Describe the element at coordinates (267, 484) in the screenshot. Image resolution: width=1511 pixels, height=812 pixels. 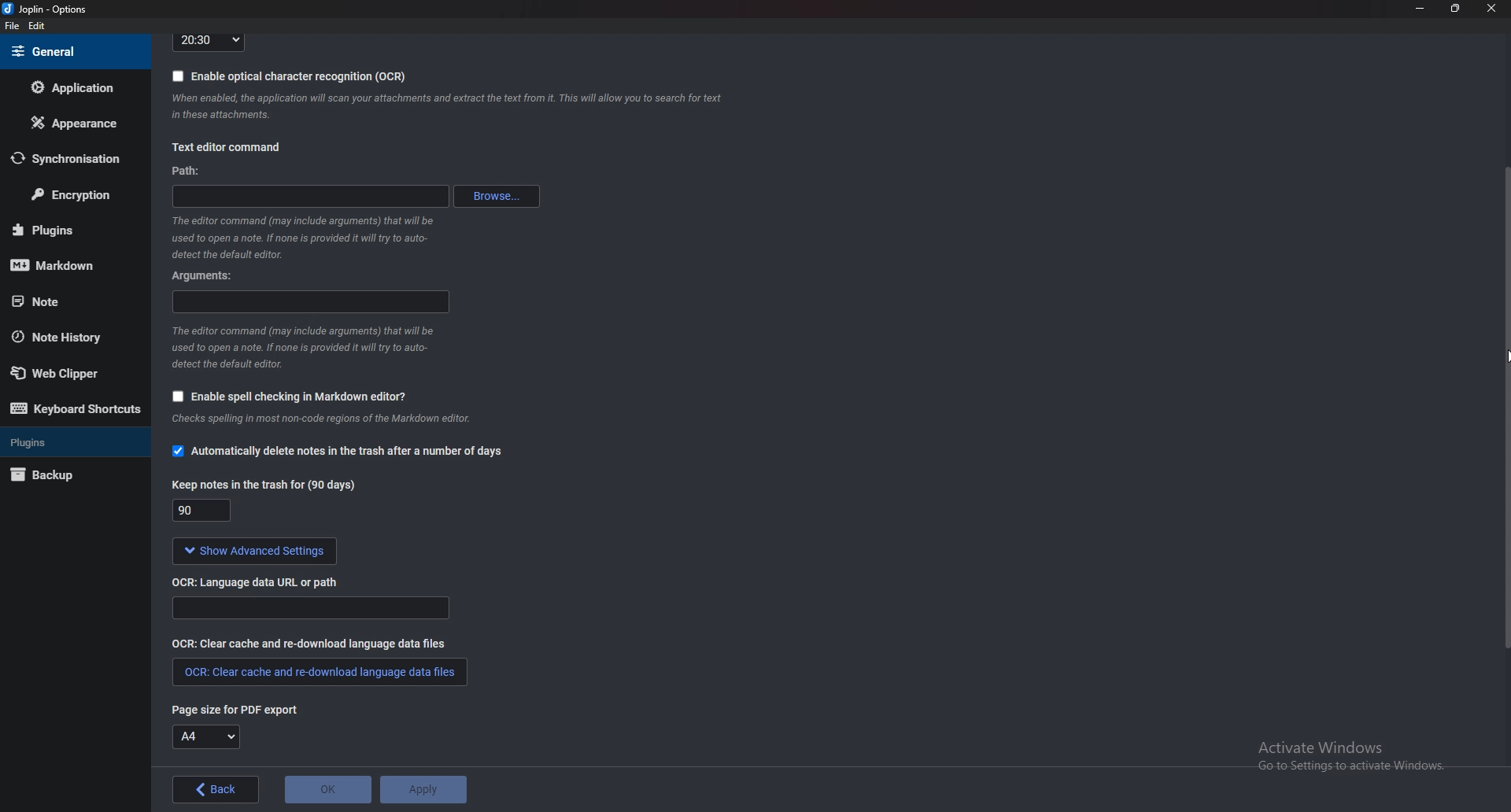
I see `Keep notes in the trash for` at that location.